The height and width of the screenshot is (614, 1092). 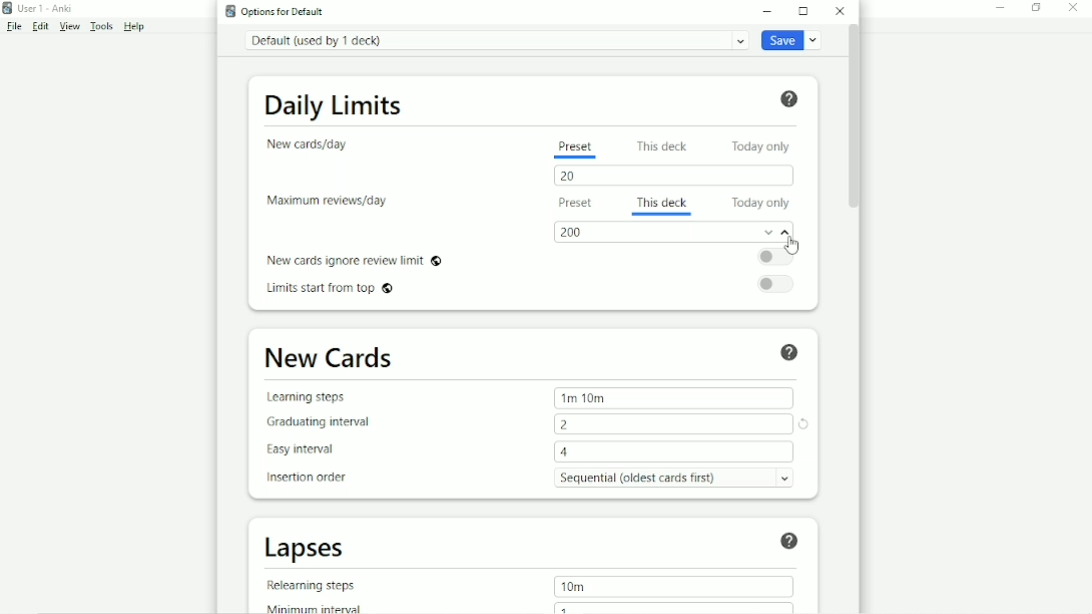 What do you see at coordinates (793, 247) in the screenshot?
I see `Cursor` at bounding box center [793, 247].